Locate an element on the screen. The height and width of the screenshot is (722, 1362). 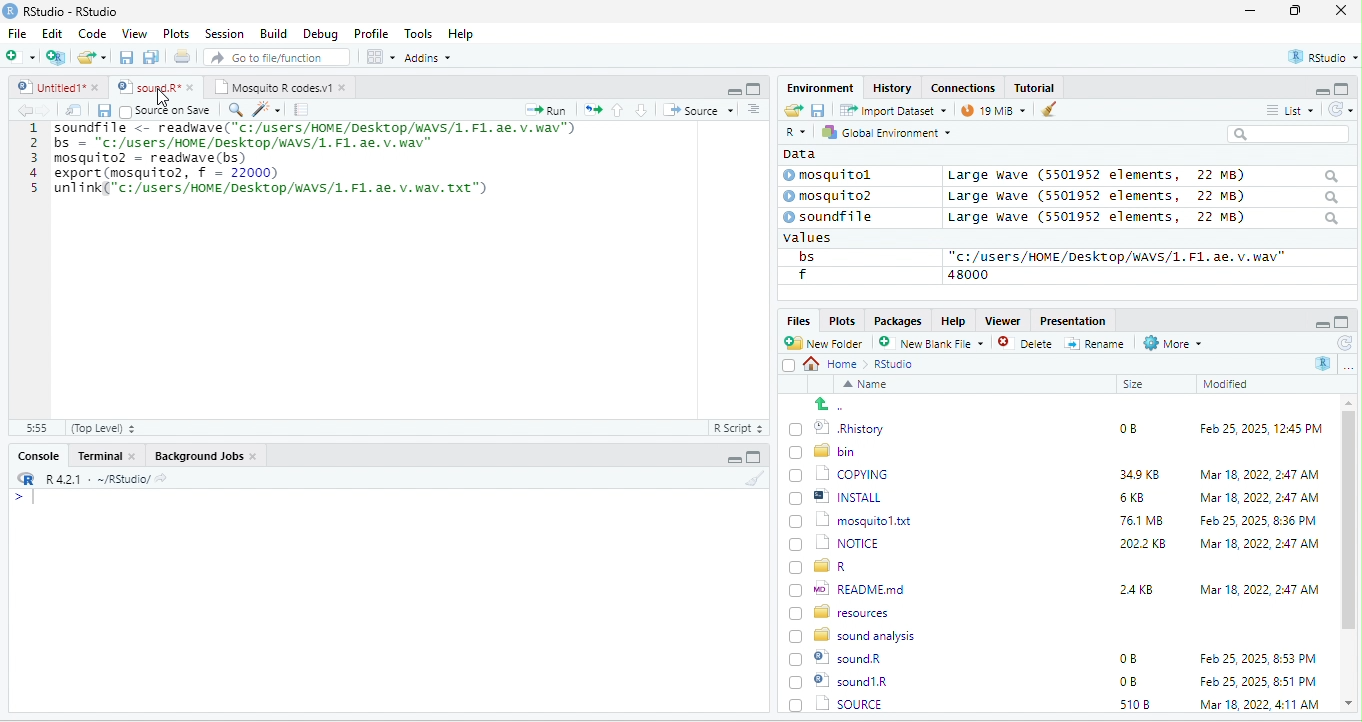
 Home is located at coordinates (836, 363).